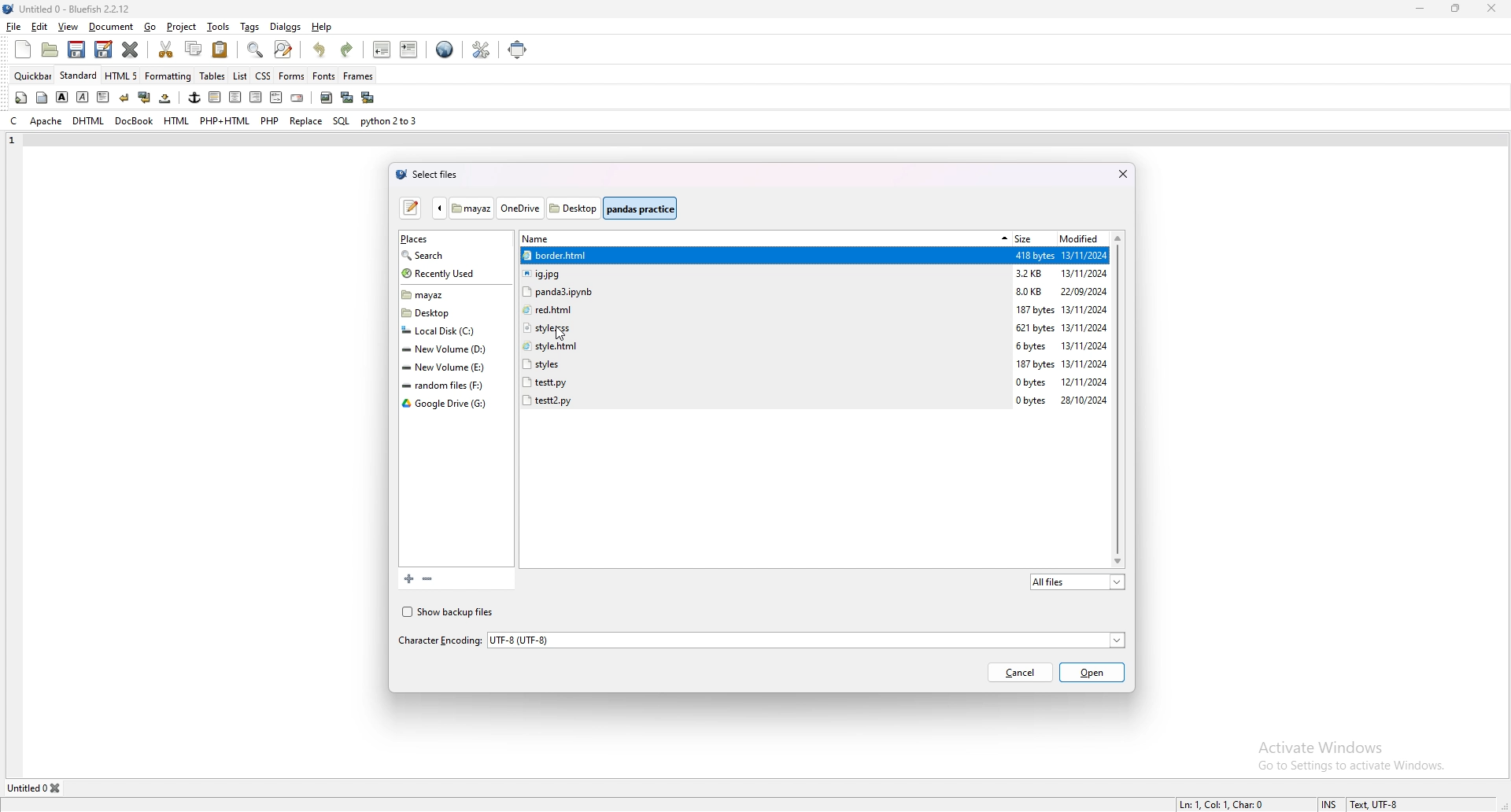  What do you see at coordinates (410, 49) in the screenshot?
I see `indent` at bounding box center [410, 49].